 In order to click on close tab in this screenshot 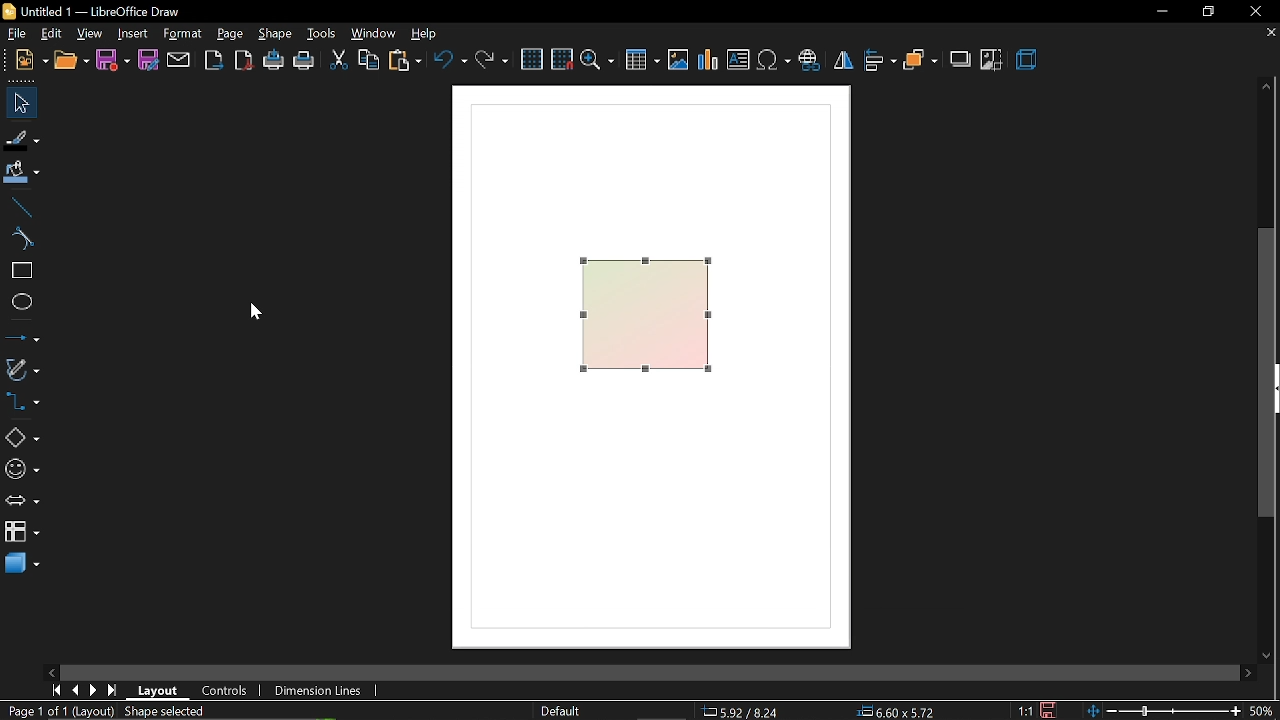, I will do `click(1267, 35)`.